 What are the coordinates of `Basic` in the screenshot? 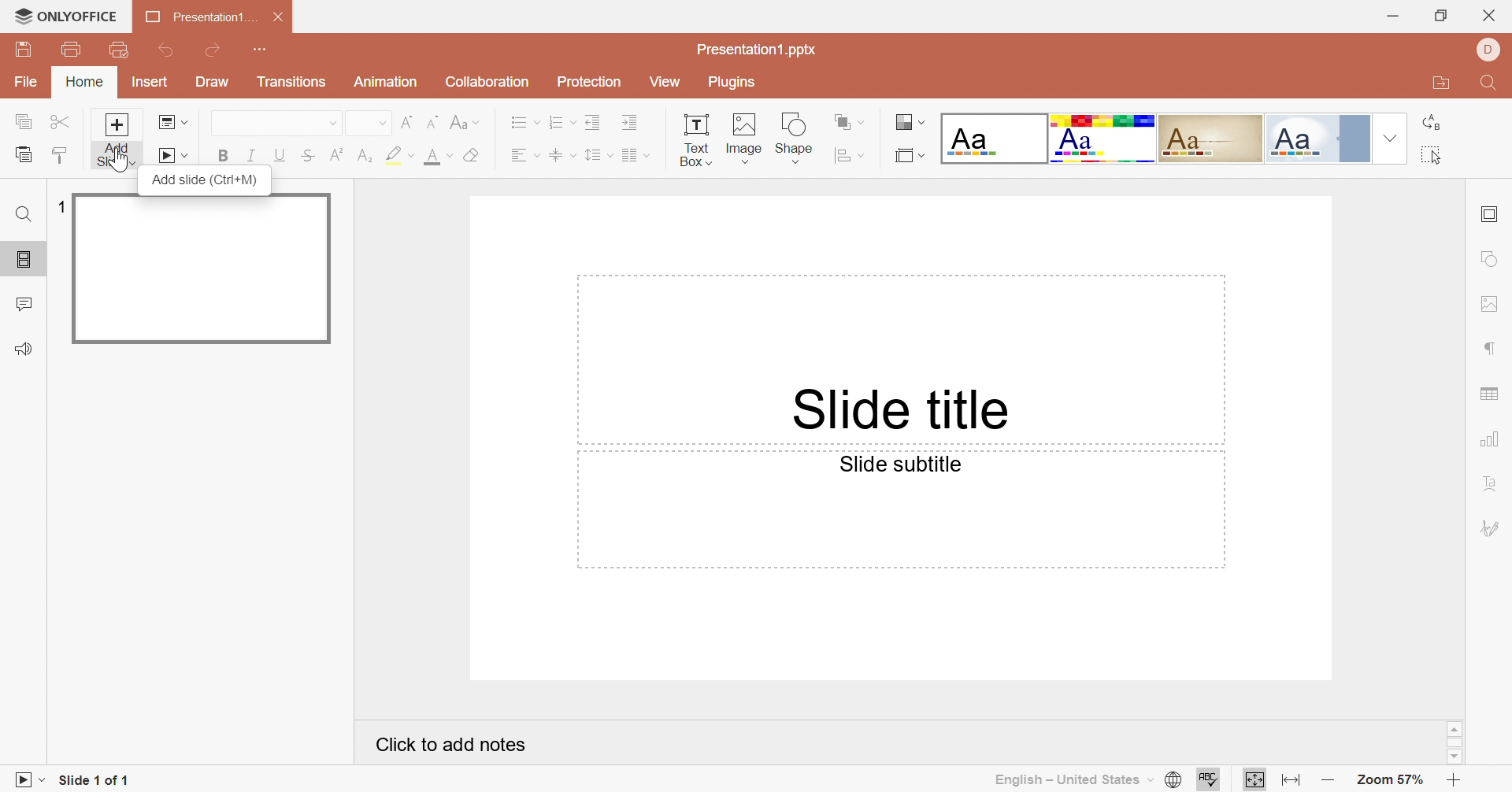 It's located at (1102, 138).